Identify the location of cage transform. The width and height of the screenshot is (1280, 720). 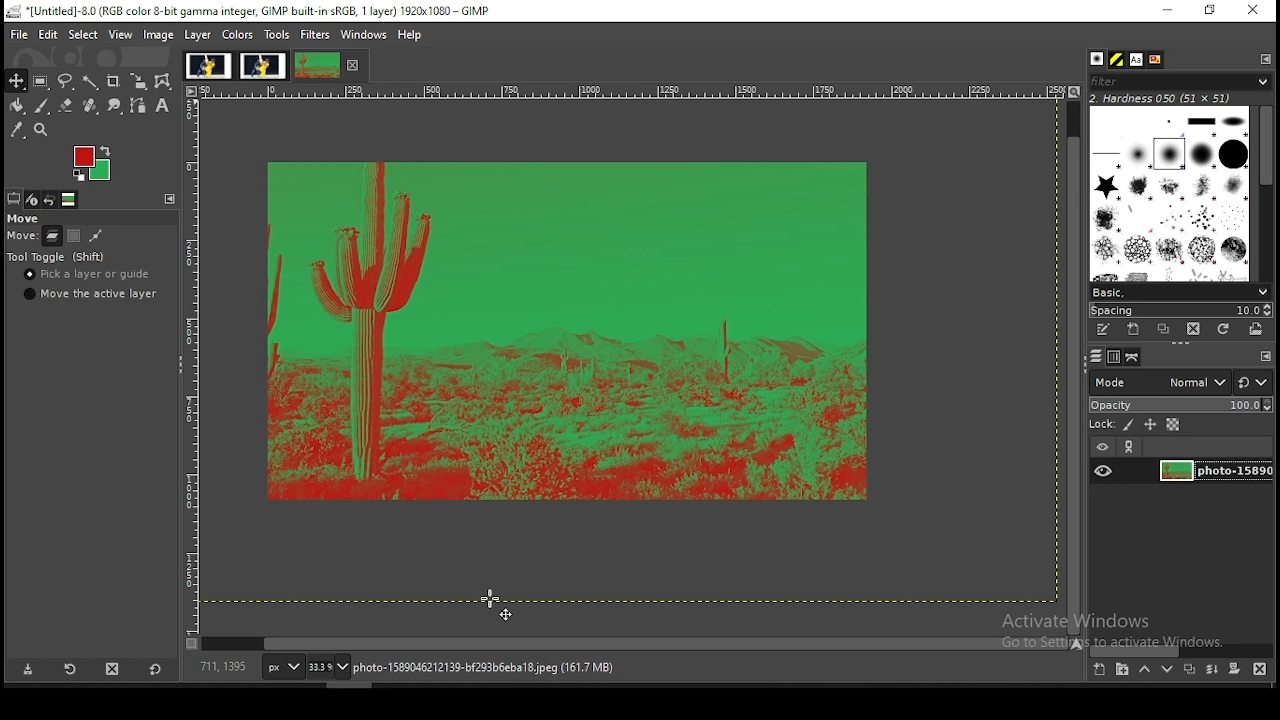
(165, 82).